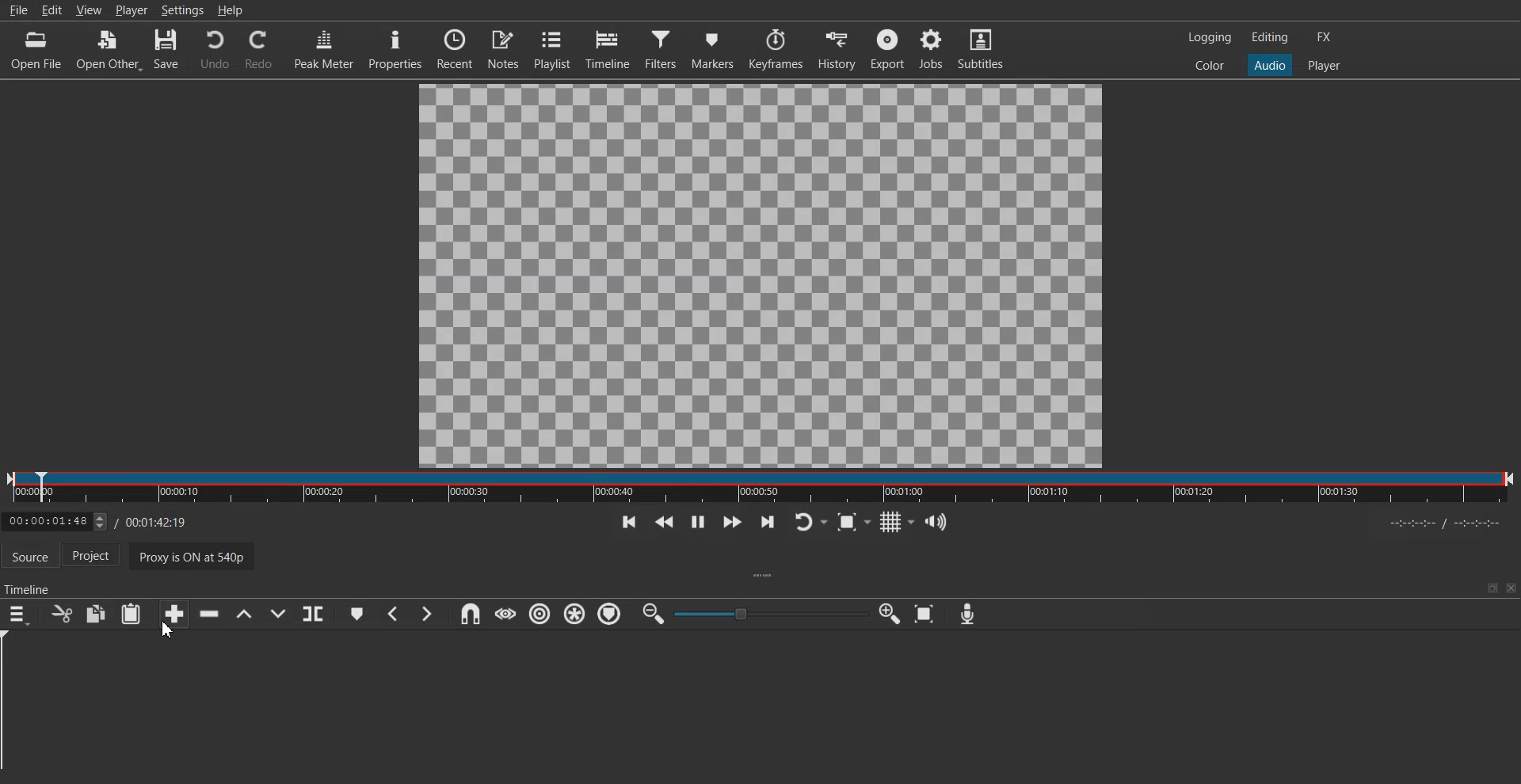  Describe the element at coordinates (97, 613) in the screenshot. I see `Copy` at that location.